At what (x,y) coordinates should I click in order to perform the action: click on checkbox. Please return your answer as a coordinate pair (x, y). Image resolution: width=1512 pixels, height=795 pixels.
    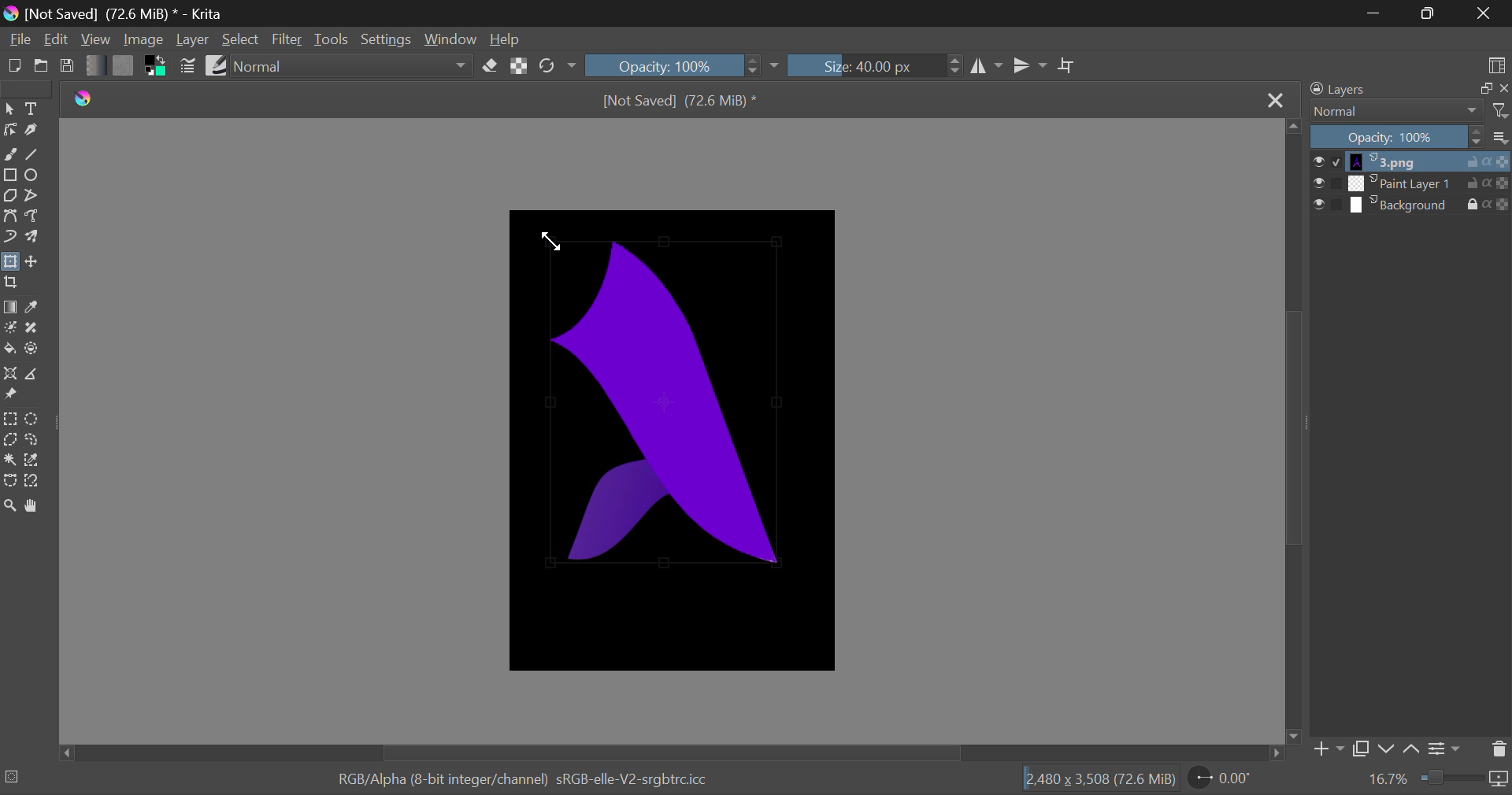
    Looking at the image, I should click on (1326, 183).